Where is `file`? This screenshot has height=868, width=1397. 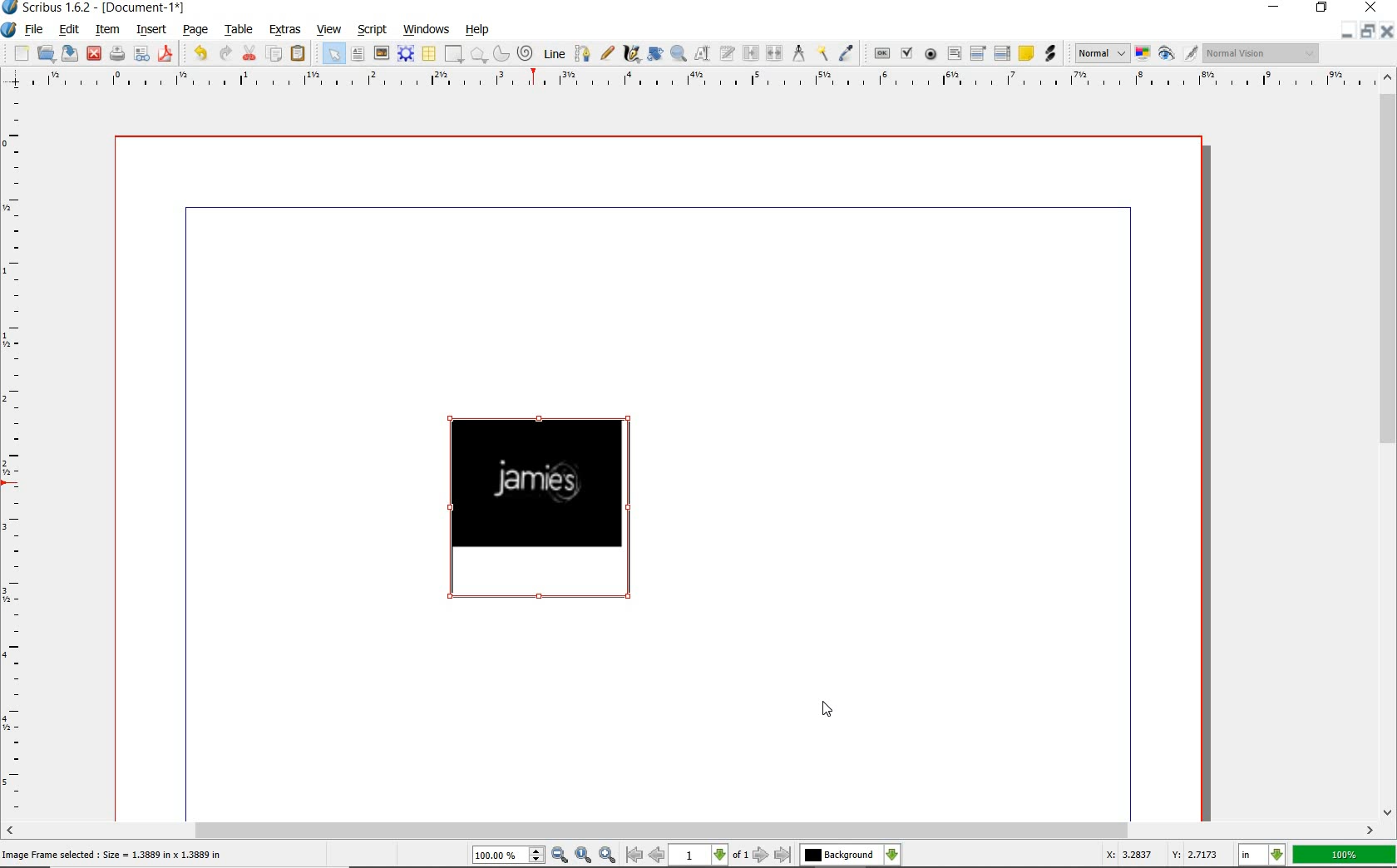 file is located at coordinates (36, 29).